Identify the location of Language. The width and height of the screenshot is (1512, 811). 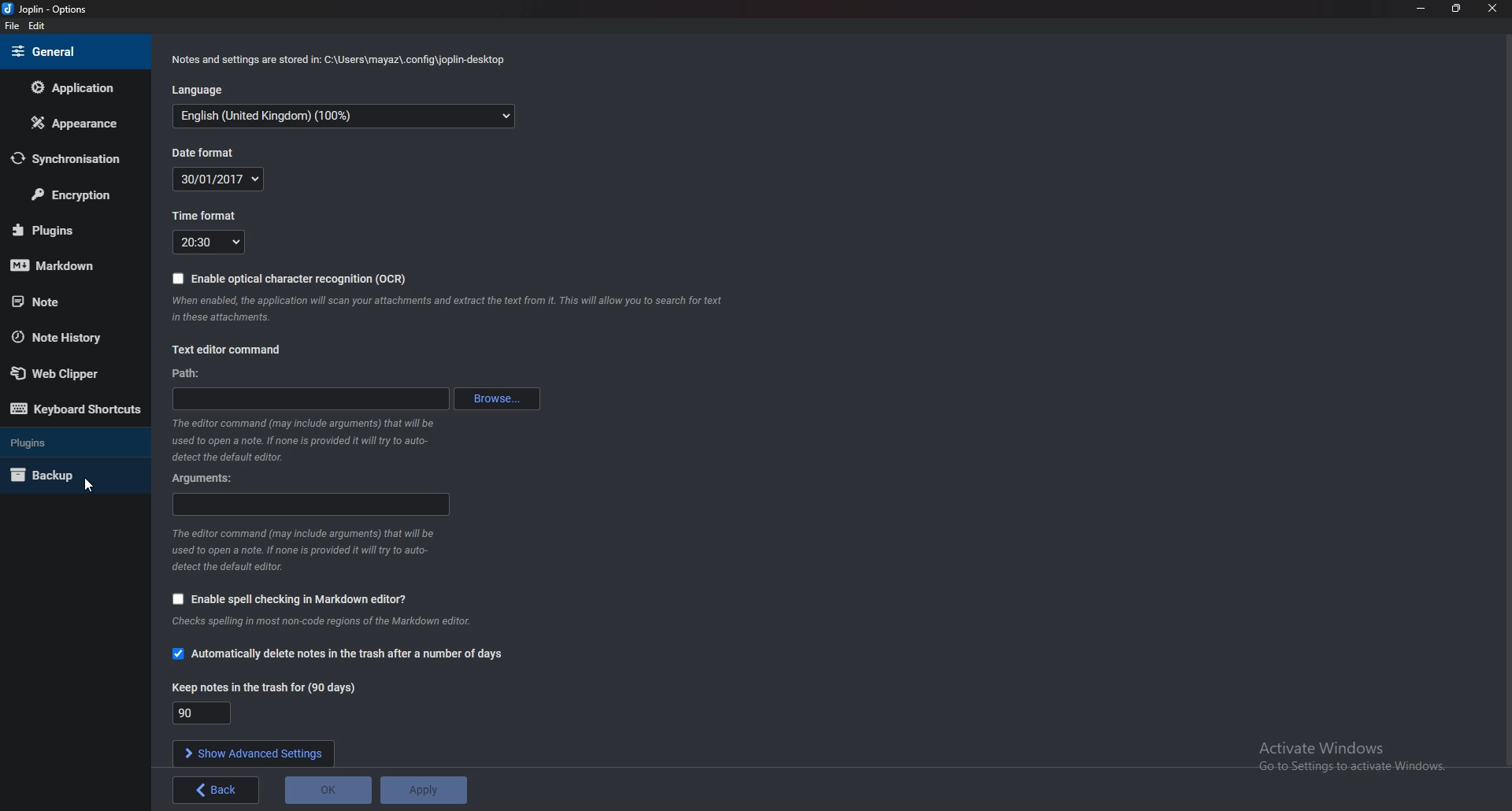
(202, 91).